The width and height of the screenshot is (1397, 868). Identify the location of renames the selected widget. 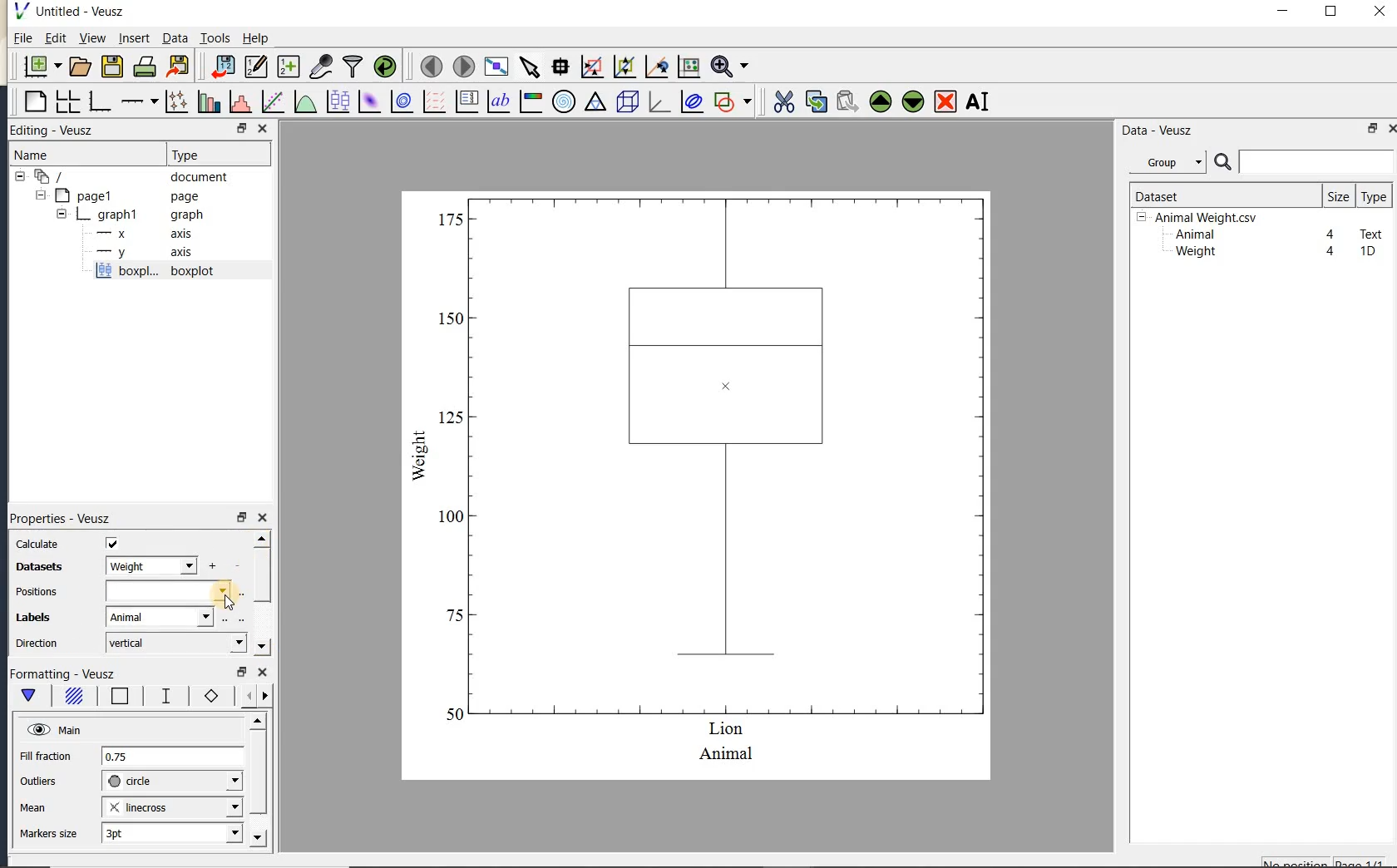
(976, 101).